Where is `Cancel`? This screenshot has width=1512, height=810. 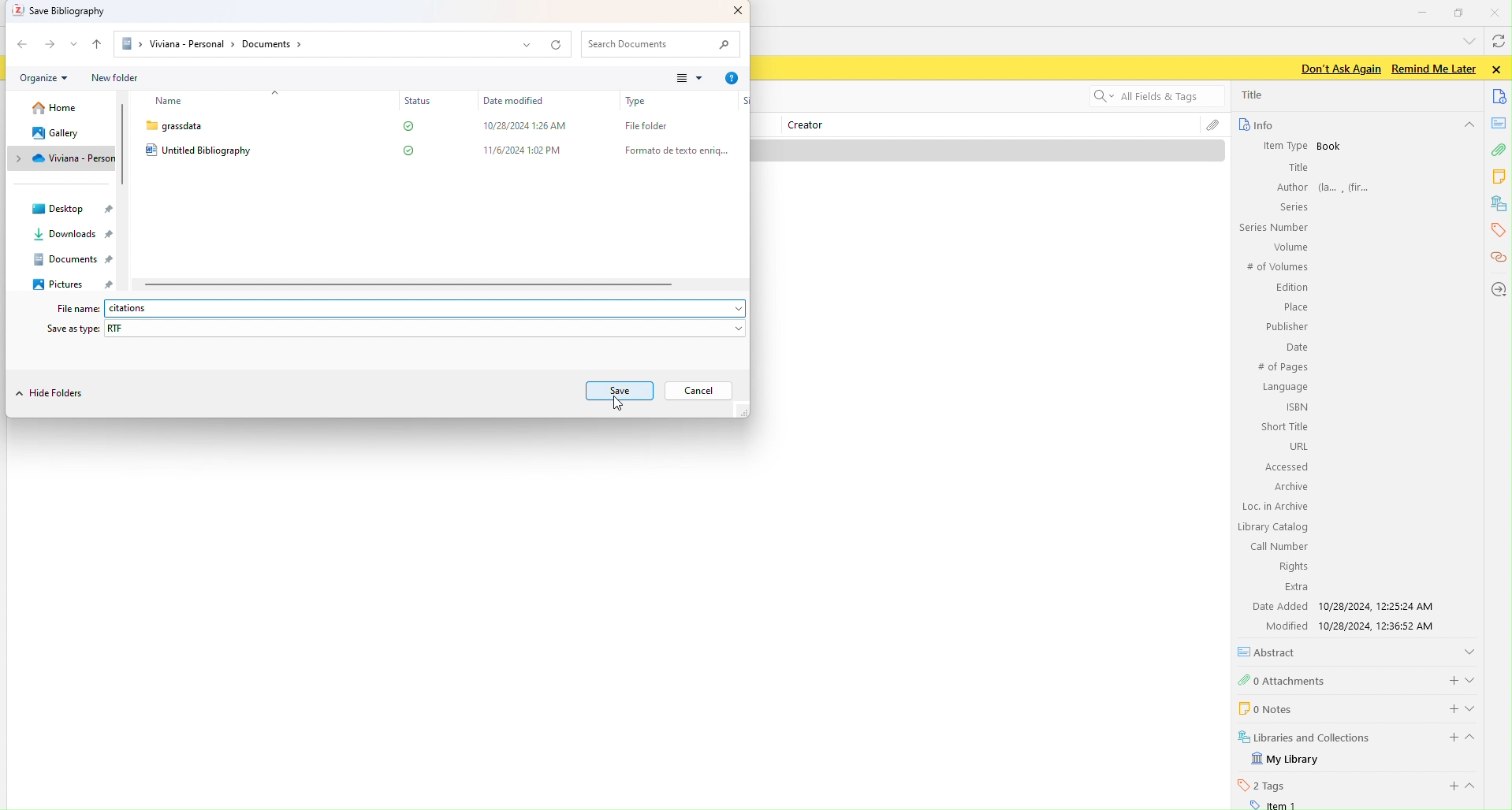
Cancel is located at coordinates (700, 390).